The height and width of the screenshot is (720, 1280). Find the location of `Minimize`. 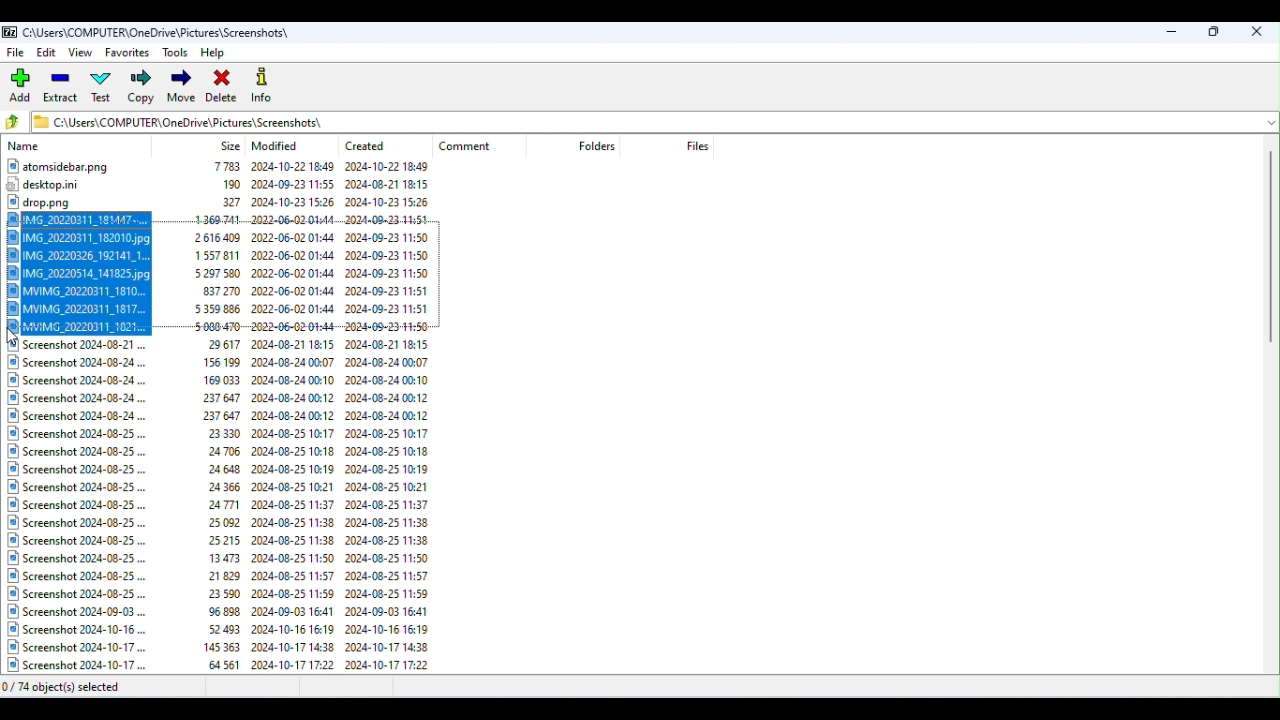

Minimize is located at coordinates (1174, 30).